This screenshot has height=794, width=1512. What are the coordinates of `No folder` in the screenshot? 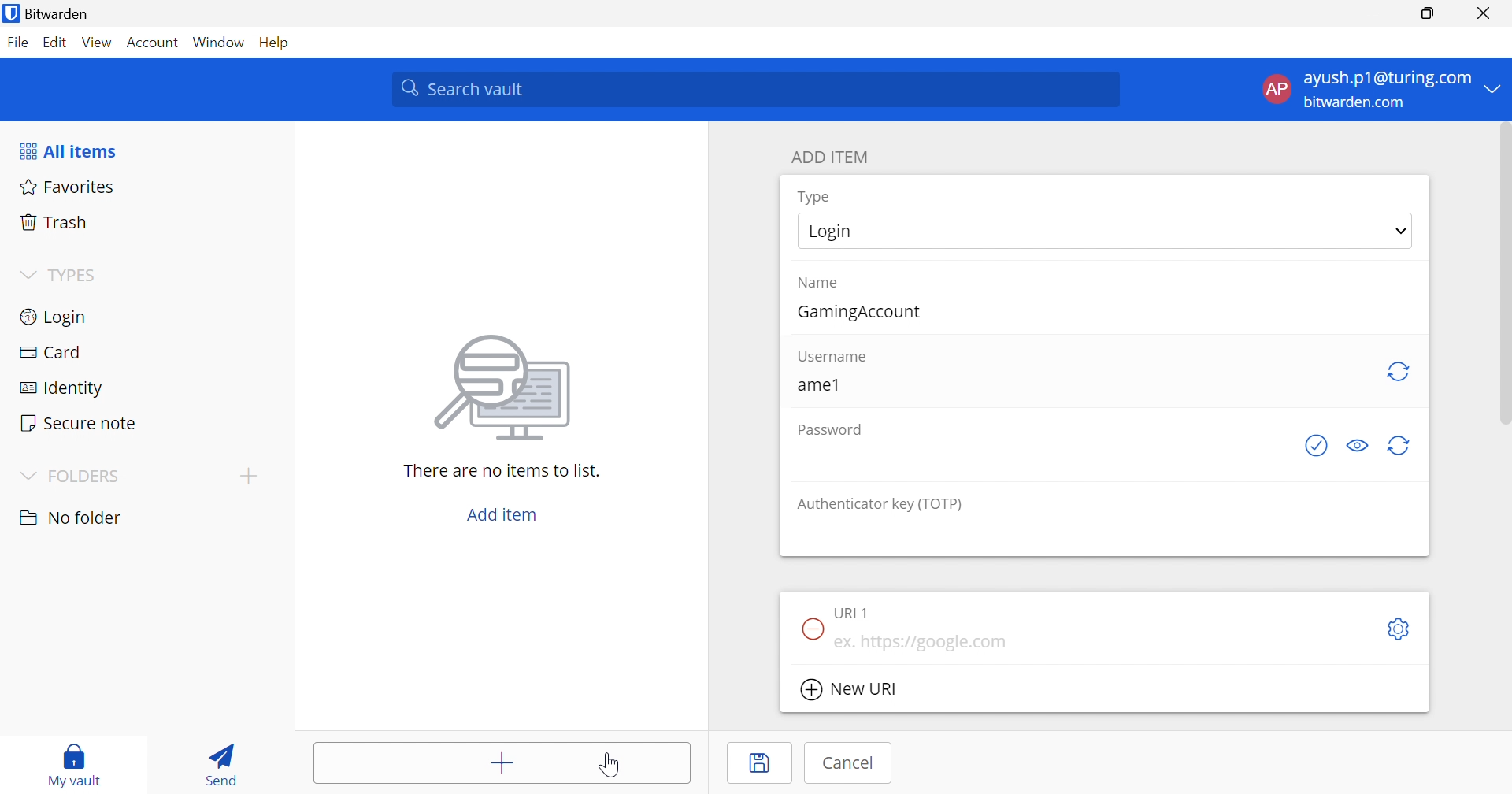 It's located at (73, 518).